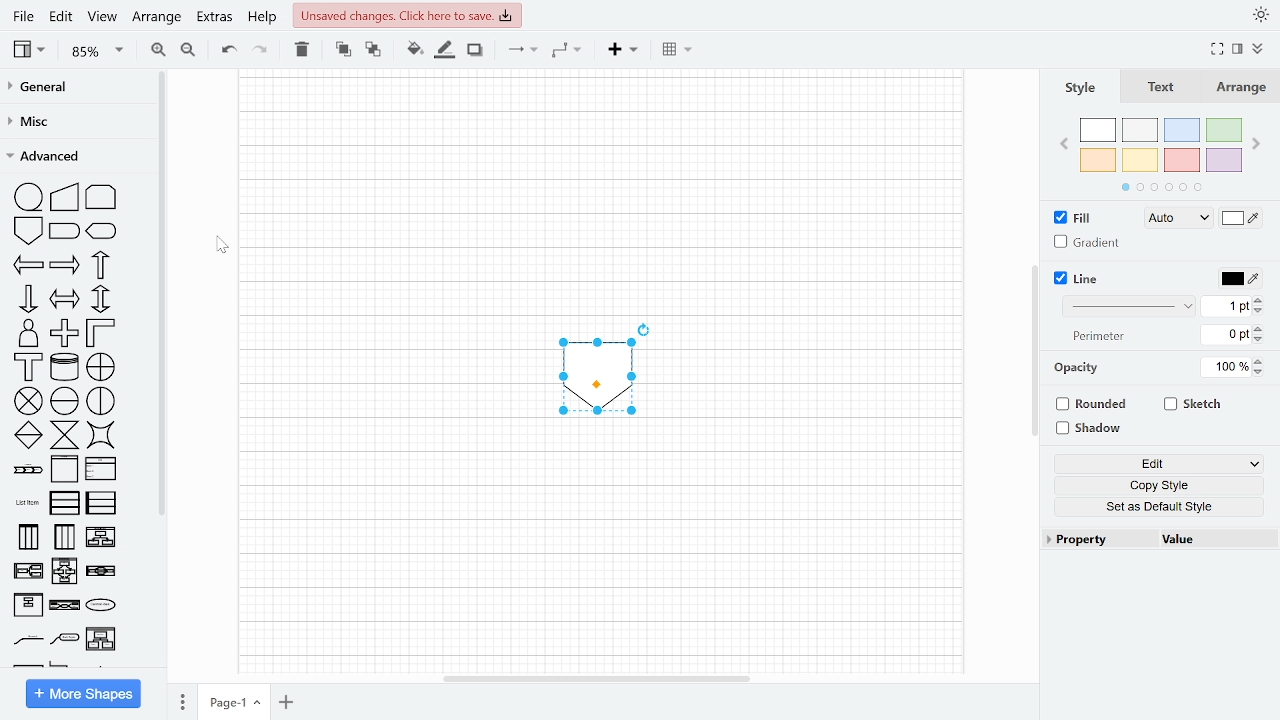 This screenshot has height=720, width=1280. What do you see at coordinates (102, 368) in the screenshot?
I see `or` at bounding box center [102, 368].